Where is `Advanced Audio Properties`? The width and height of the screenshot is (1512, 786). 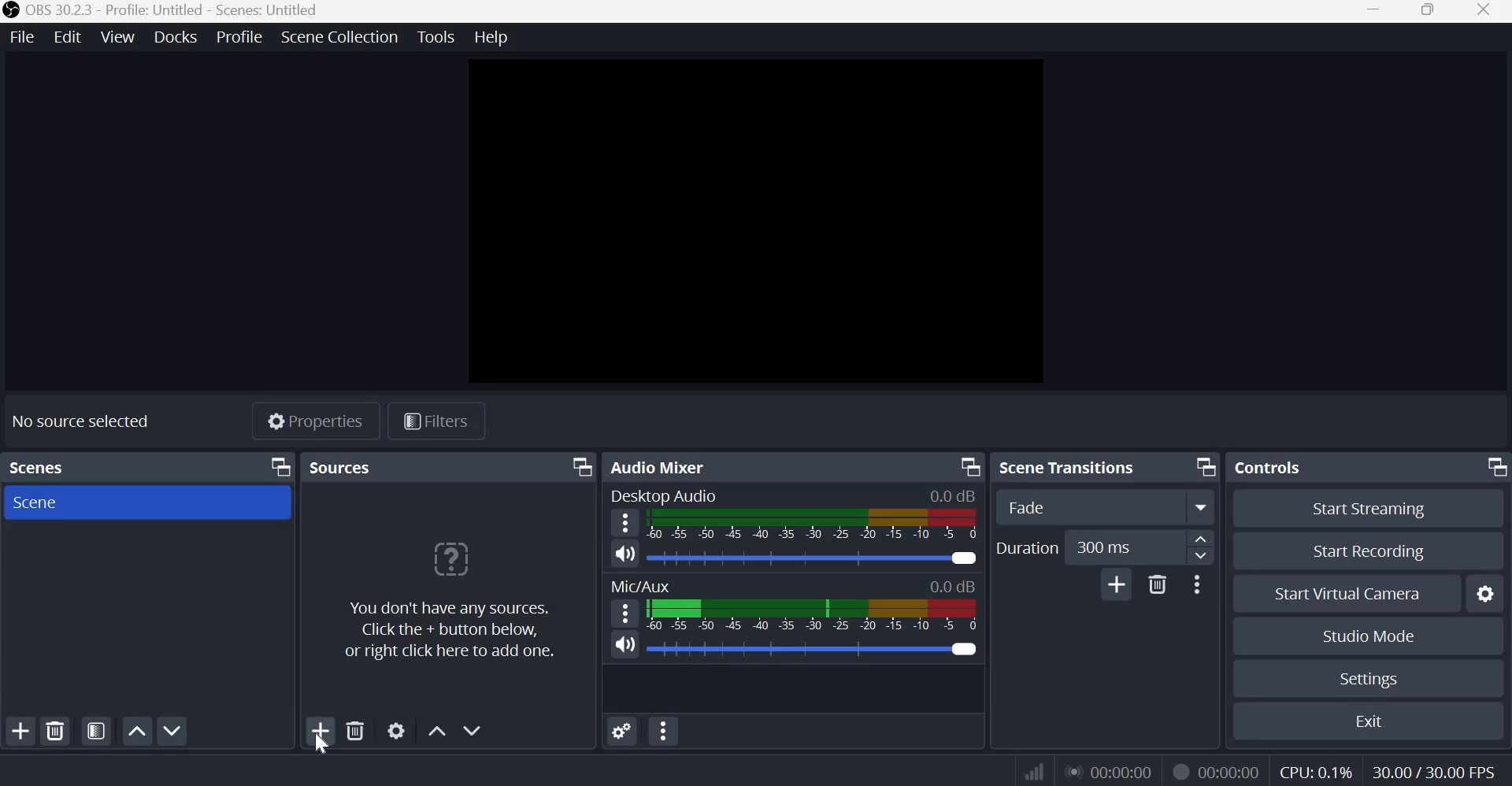 Advanced Audio Properties is located at coordinates (623, 731).